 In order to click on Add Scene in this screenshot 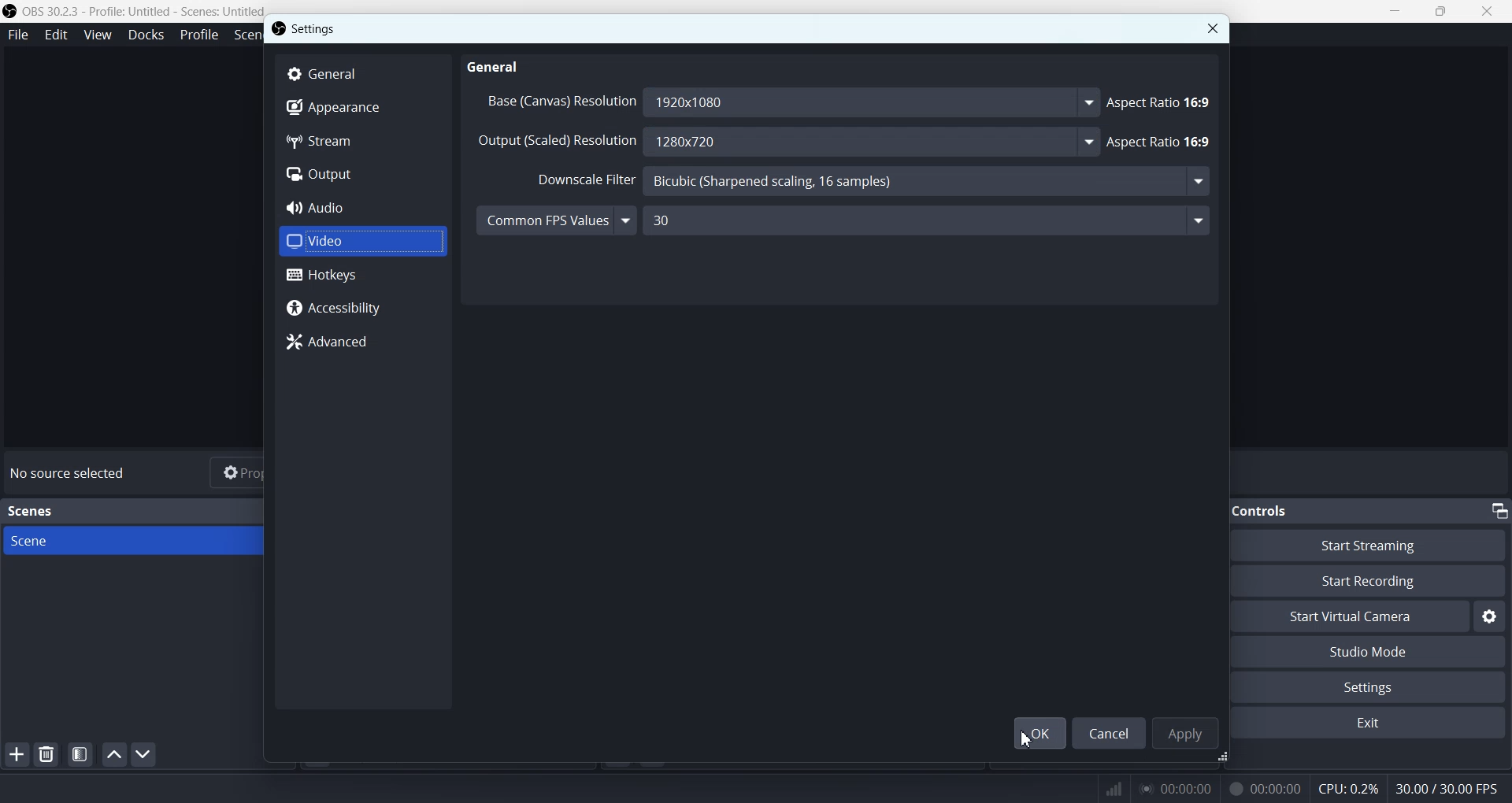, I will do `click(16, 754)`.